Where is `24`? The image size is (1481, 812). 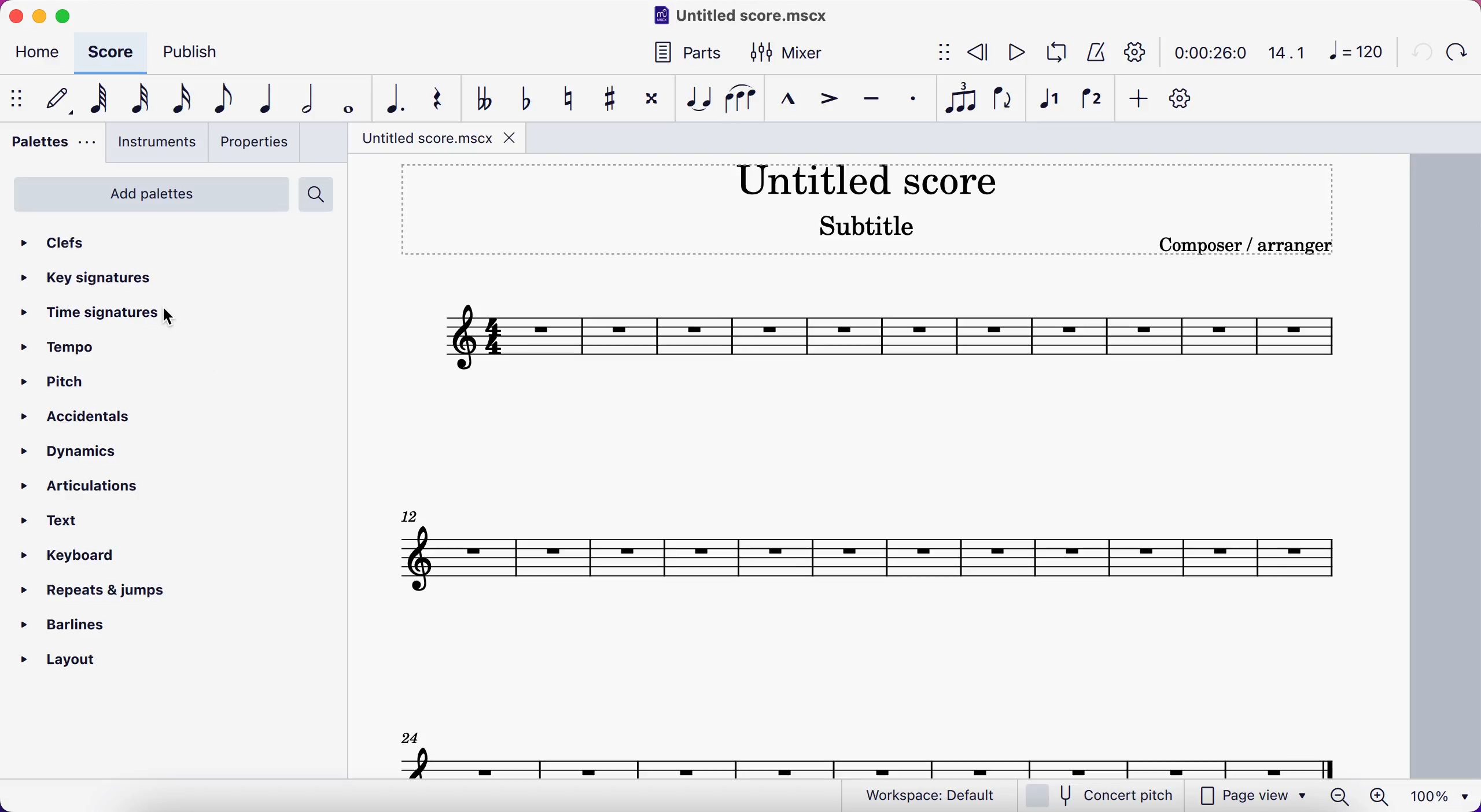
24 is located at coordinates (405, 738).